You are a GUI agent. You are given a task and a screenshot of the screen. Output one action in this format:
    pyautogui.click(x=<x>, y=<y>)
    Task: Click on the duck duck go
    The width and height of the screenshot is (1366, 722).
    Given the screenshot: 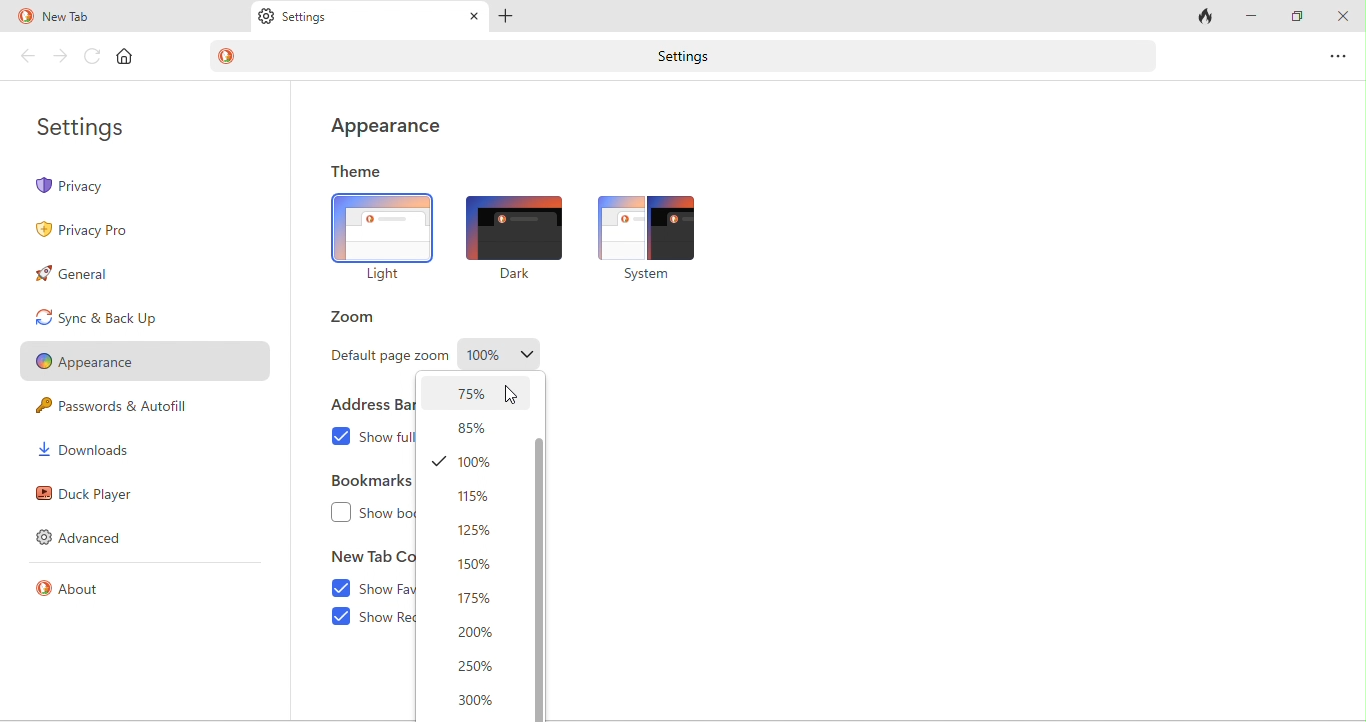 What is the action you would take?
    pyautogui.click(x=24, y=17)
    